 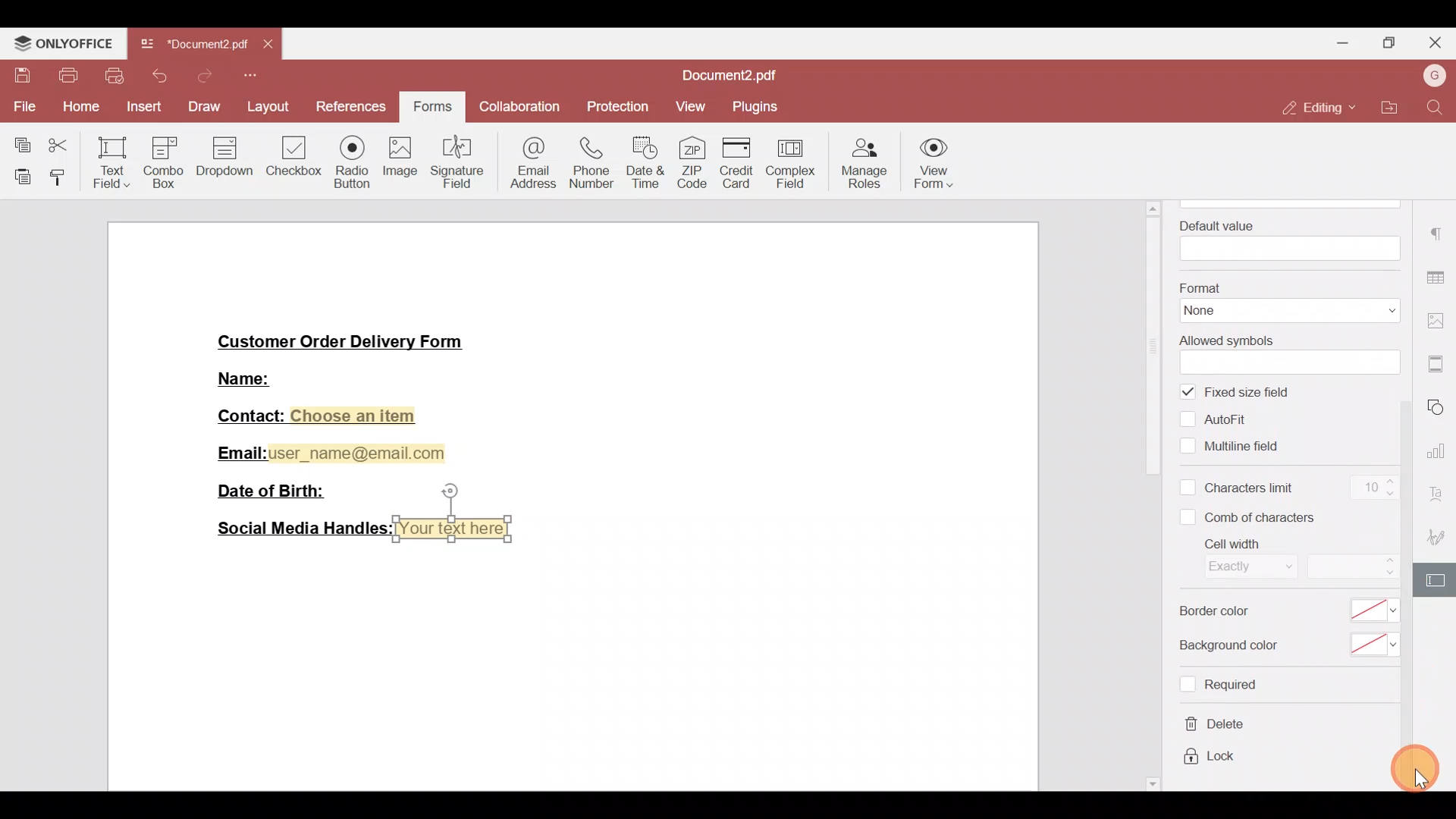 What do you see at coordinates (1351, 567) in the screenshot?
I see `Cell width size` at bounding box center [1351, 567].